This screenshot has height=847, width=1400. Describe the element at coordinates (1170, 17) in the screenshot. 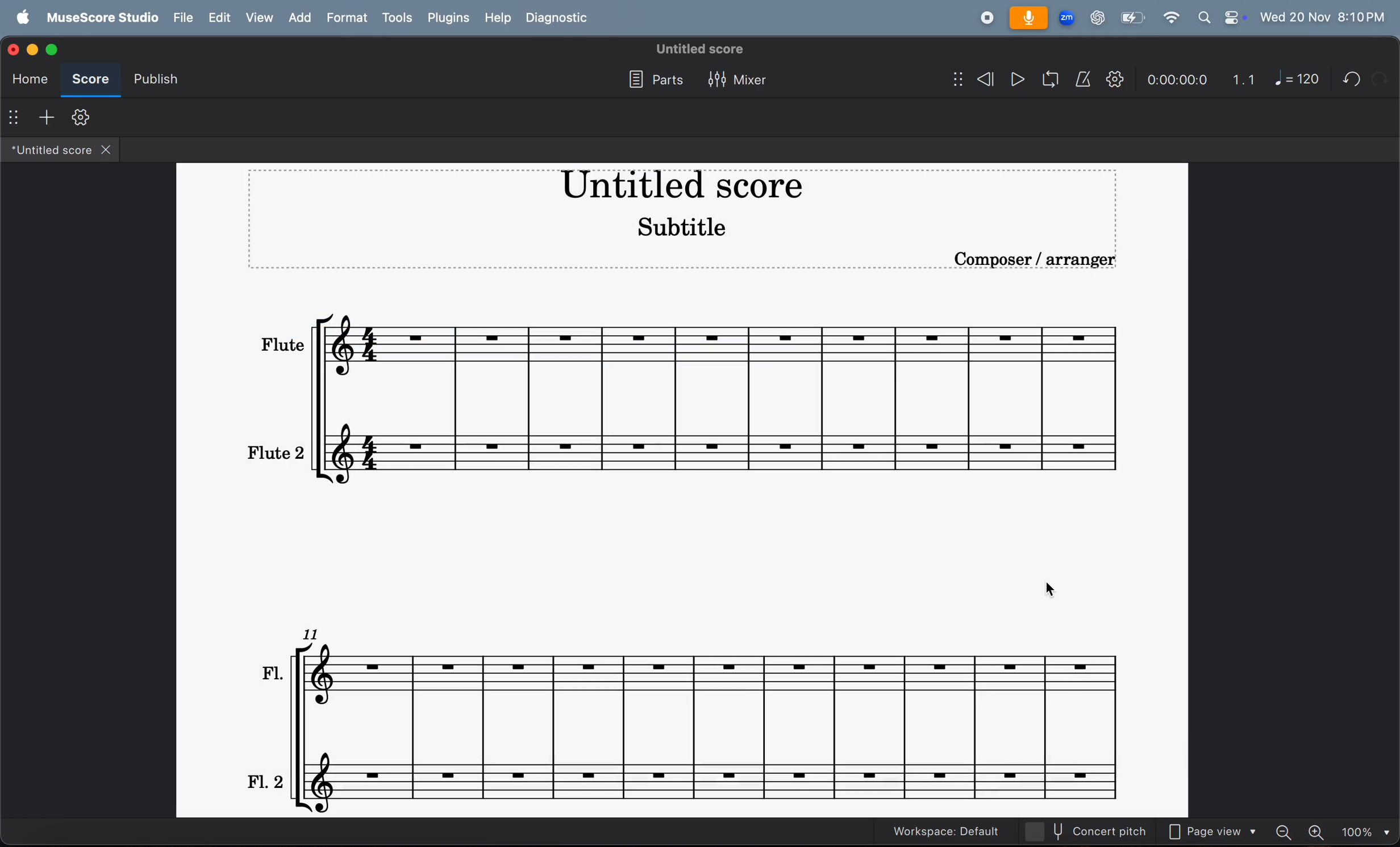

I see `wifi` at that location.